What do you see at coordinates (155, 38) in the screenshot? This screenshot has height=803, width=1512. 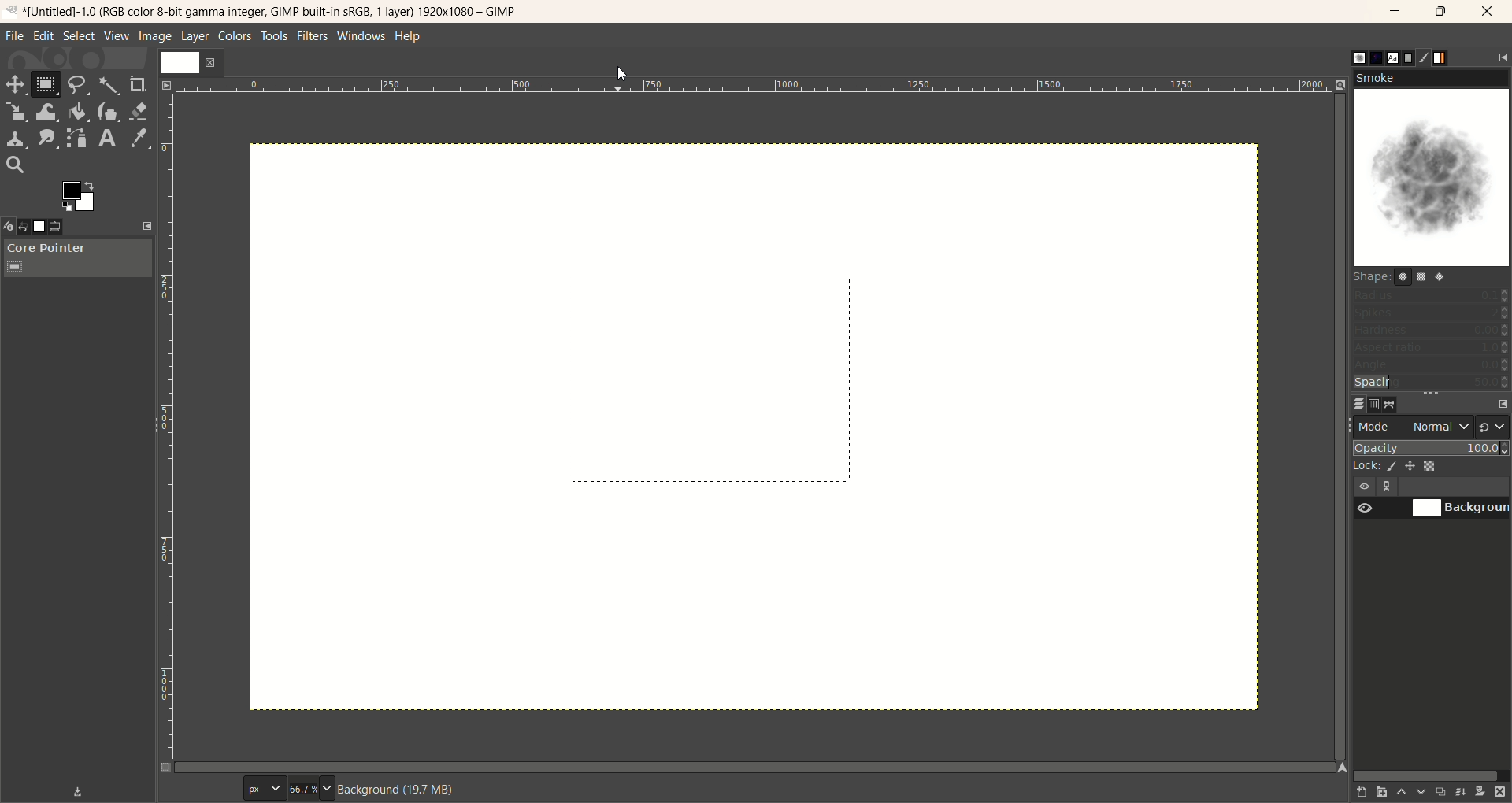 I see `image` at bounding box center [155, 38].